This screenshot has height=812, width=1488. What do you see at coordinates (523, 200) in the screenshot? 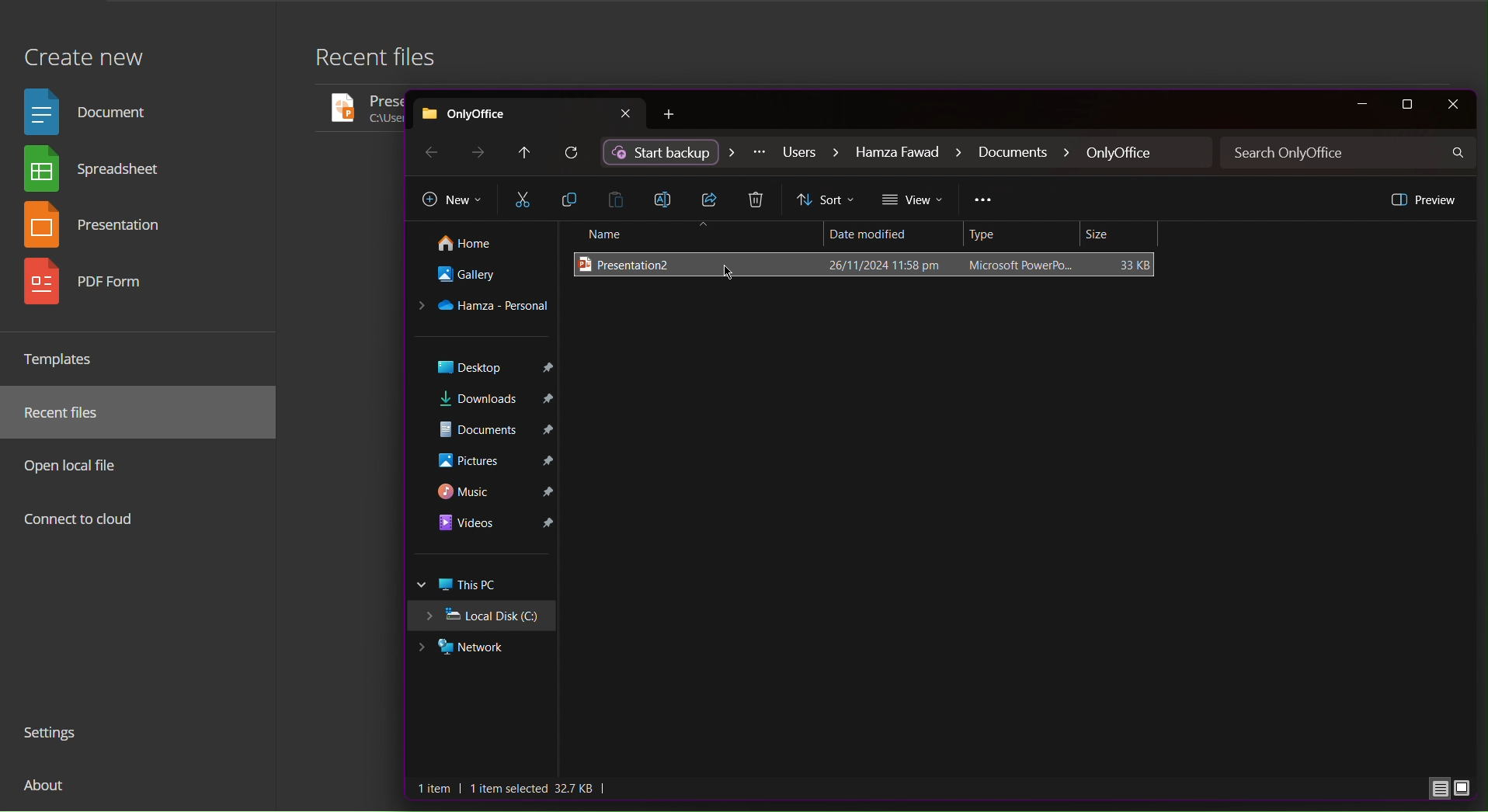
I see `Cut` at bounding box center [523, 200].